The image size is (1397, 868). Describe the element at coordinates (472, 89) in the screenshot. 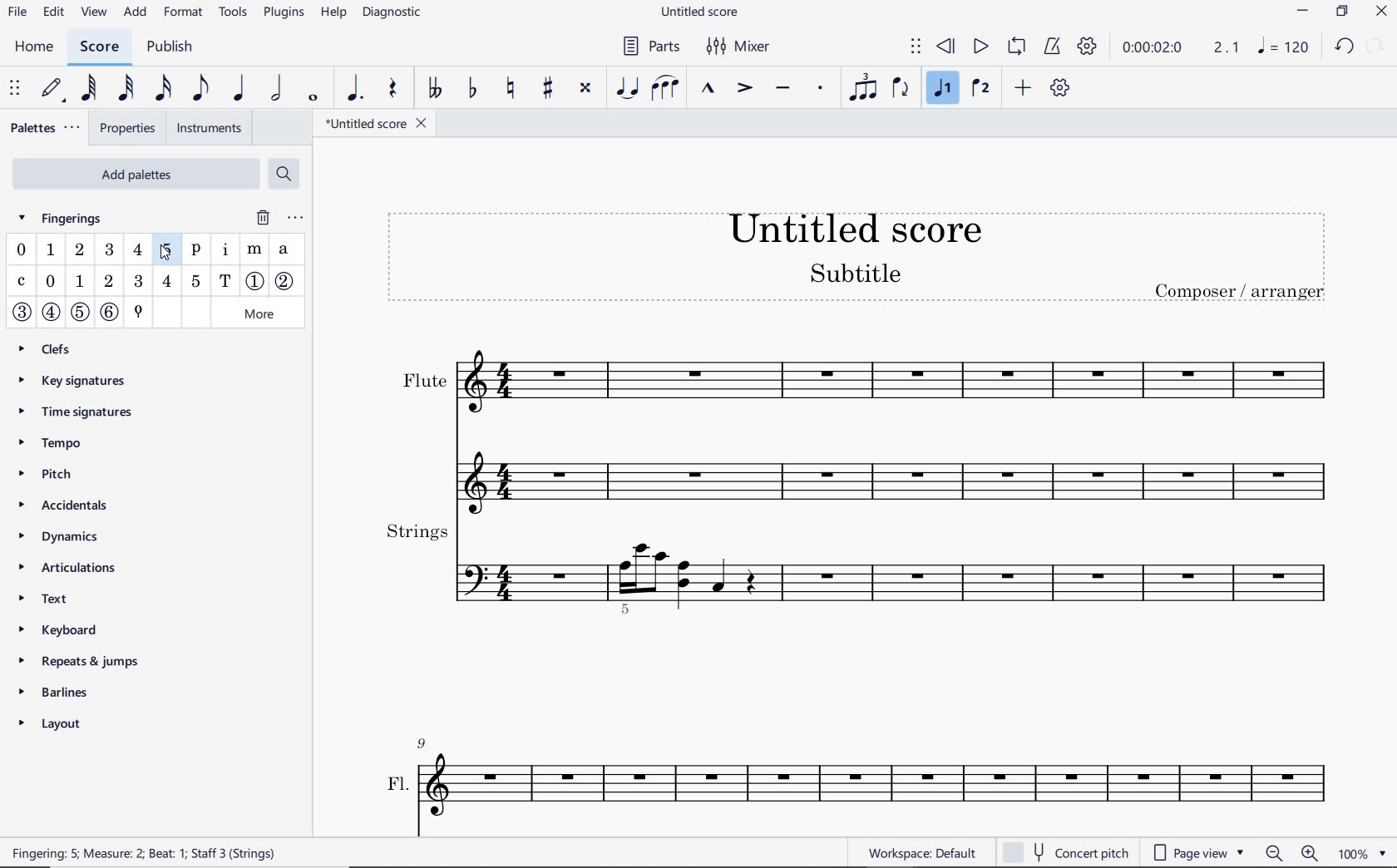

I see `toggle flat` at that location.